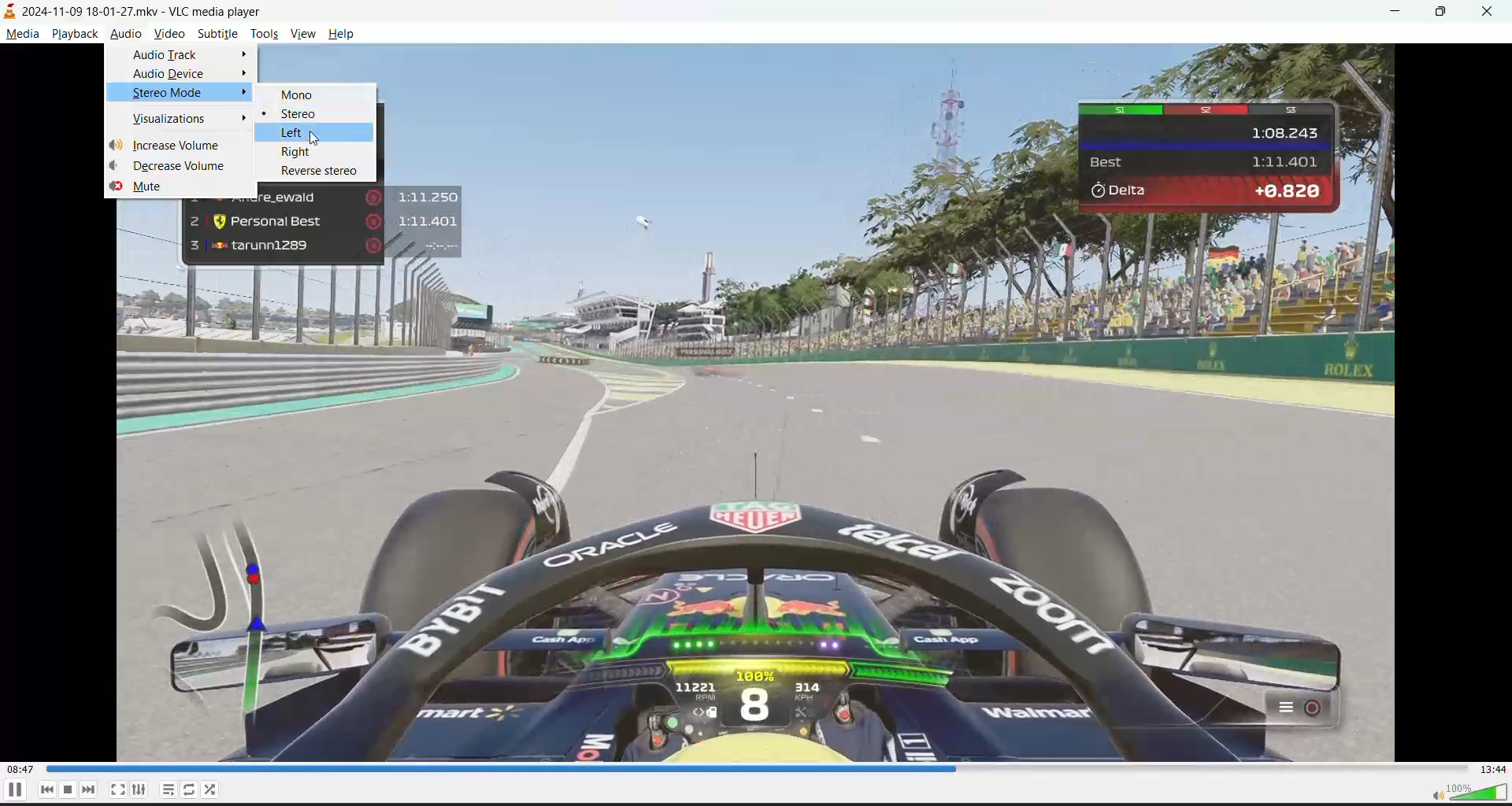  Describe the element at coordinates (298, 113) in the screenshot. I see `stereo` at that location.